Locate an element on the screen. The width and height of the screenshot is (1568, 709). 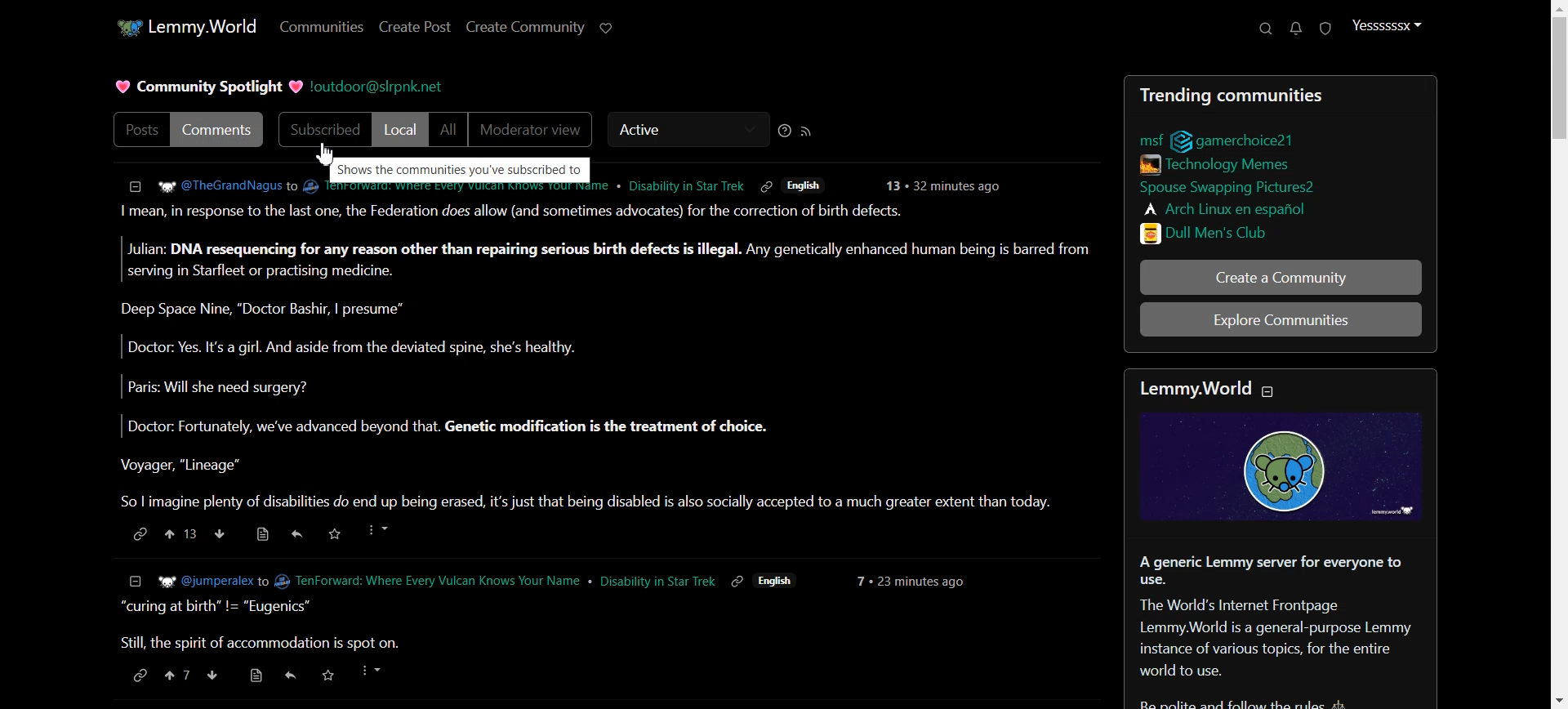
Subscribed is located at coordinates (321, 130).